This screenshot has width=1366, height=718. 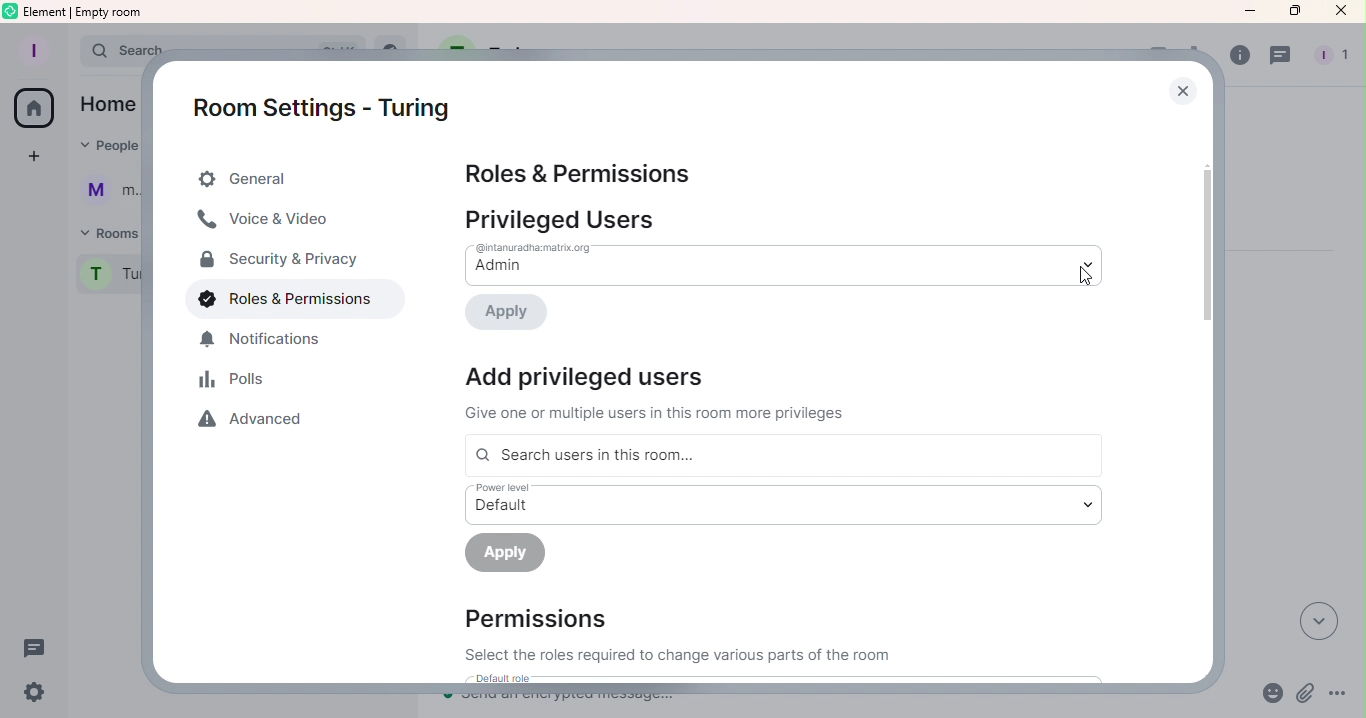 What do you see at coordinates (287, 219) in the screenshot?
I see `Voice & Video` at bounding box center [287, 219].